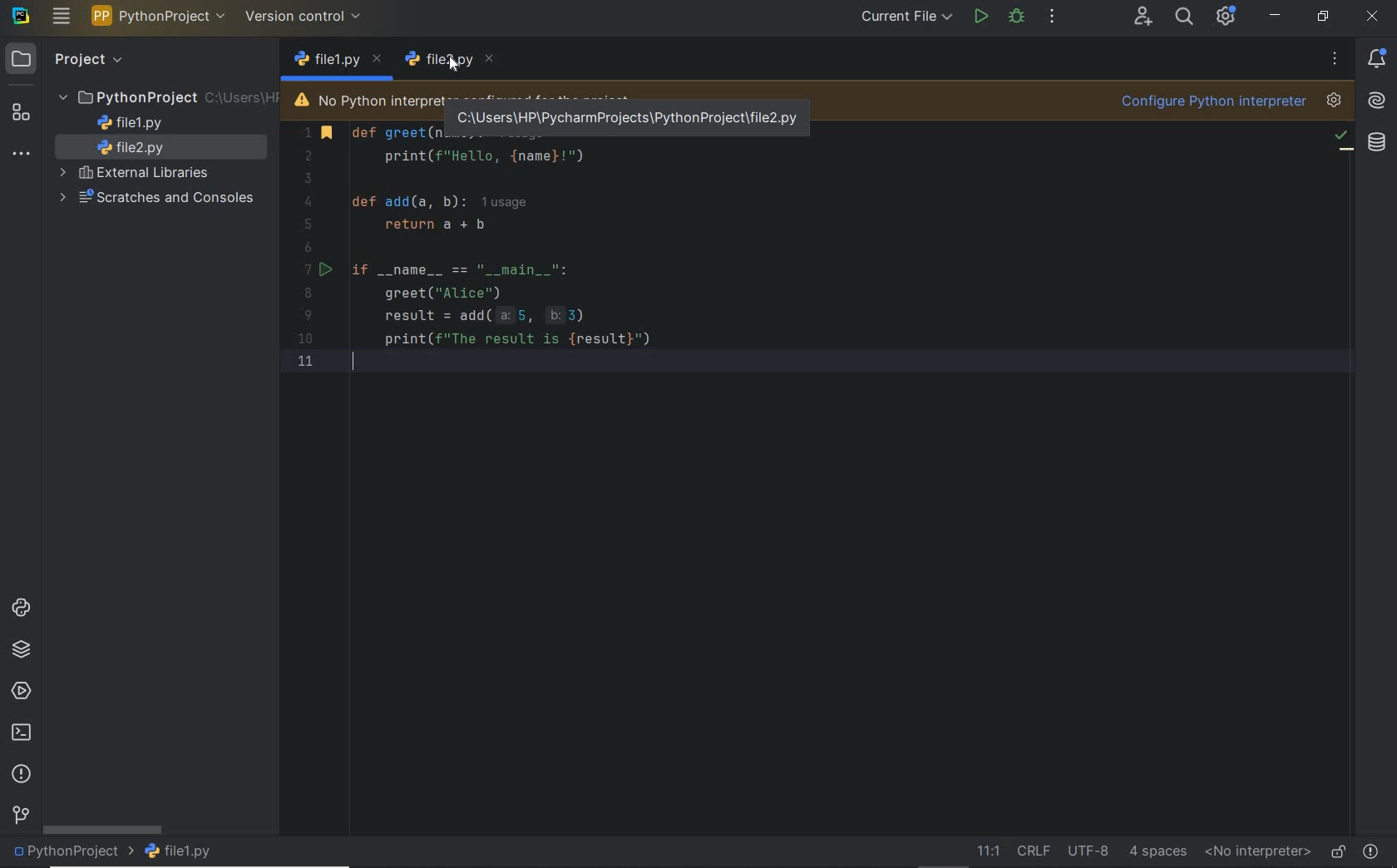 This screenshot has width=1397, height=868. Describe the element at coordinates (20, 734) in the screenshot. I see `terminal` at that location.